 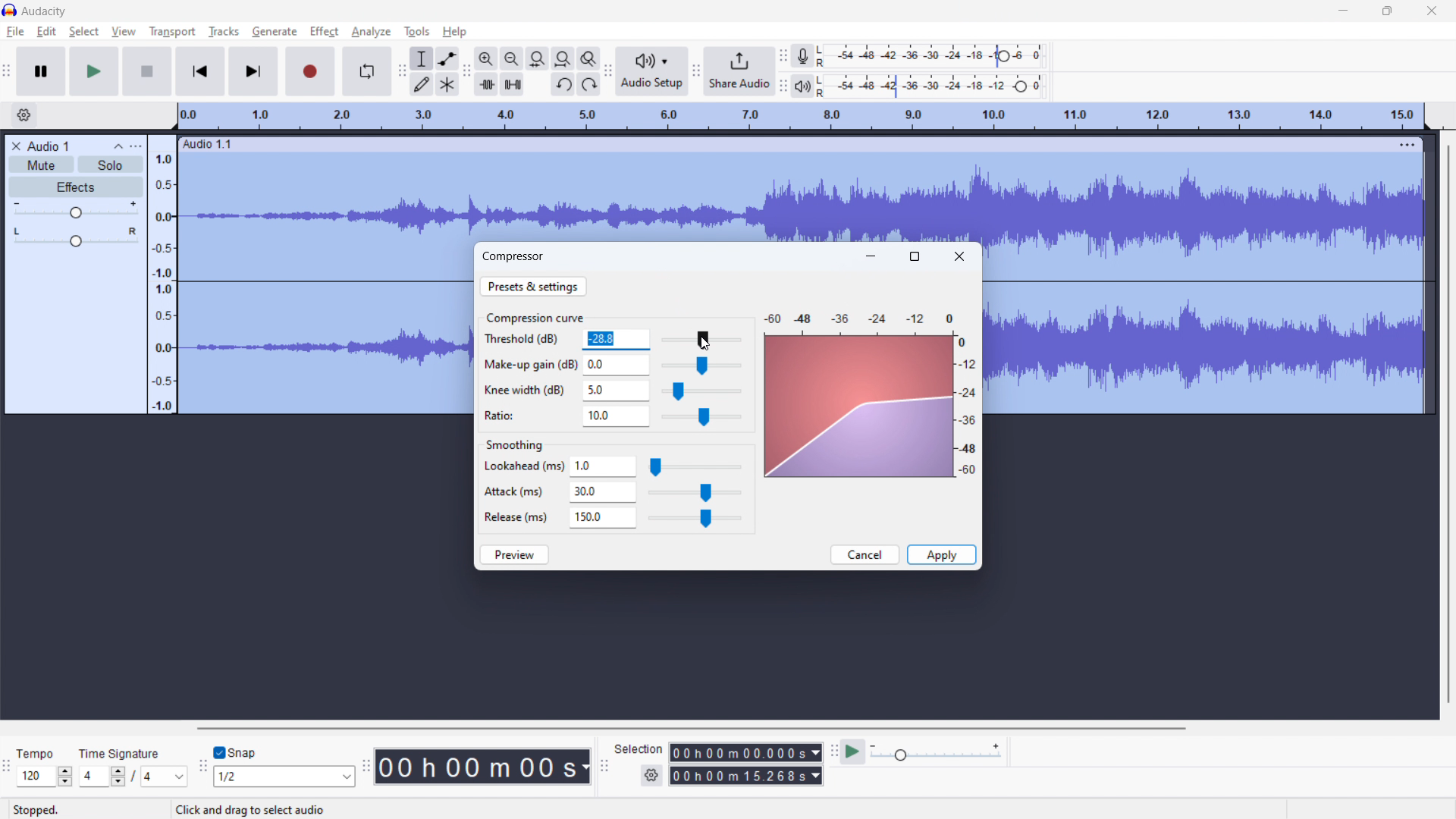 What do you see at coordinates (1388, 11) in the screenshot?
I see `maximize` at bounding box center [1388, 11].